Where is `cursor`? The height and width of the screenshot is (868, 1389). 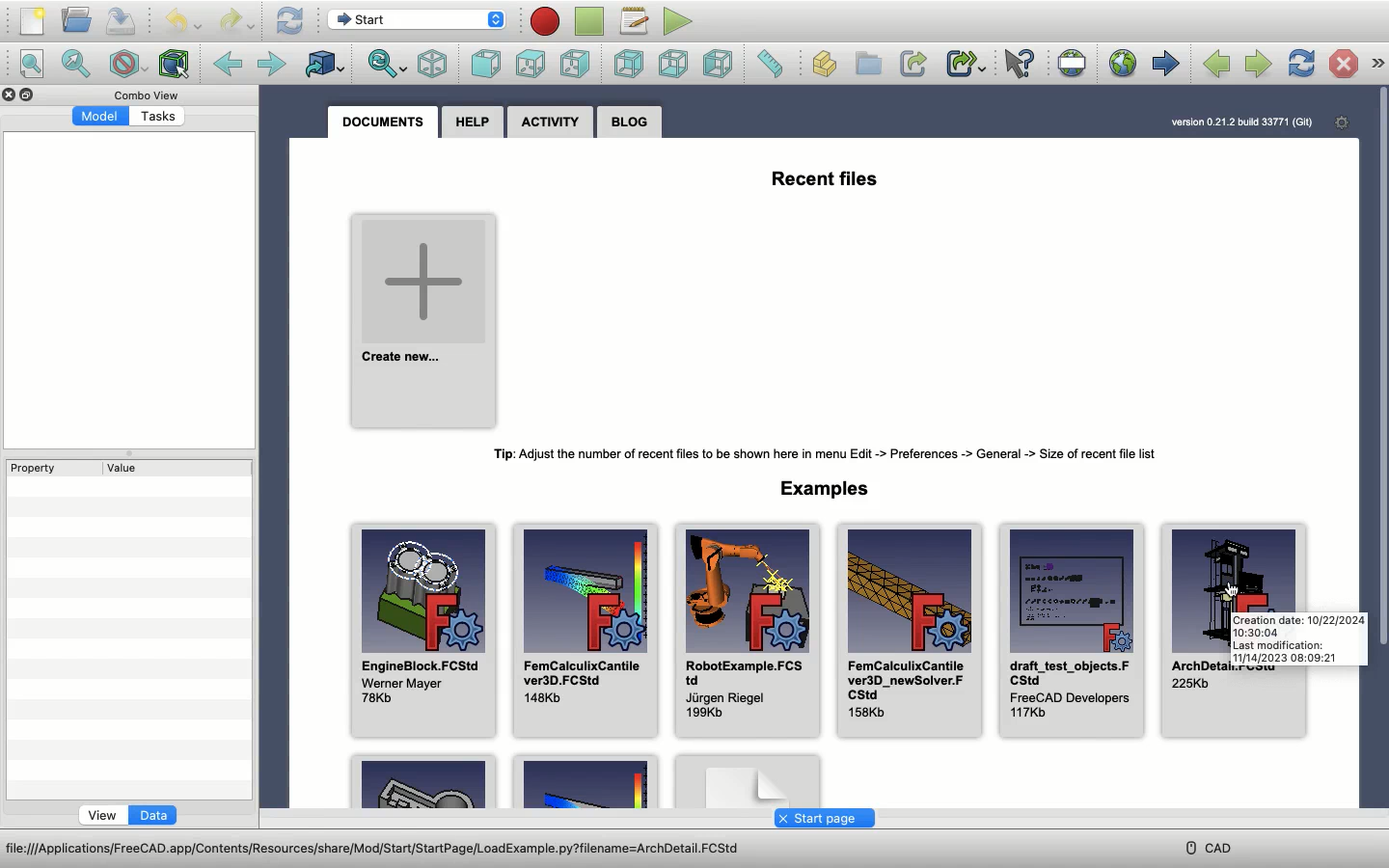 cursor is located at coordinates (1238, 597).